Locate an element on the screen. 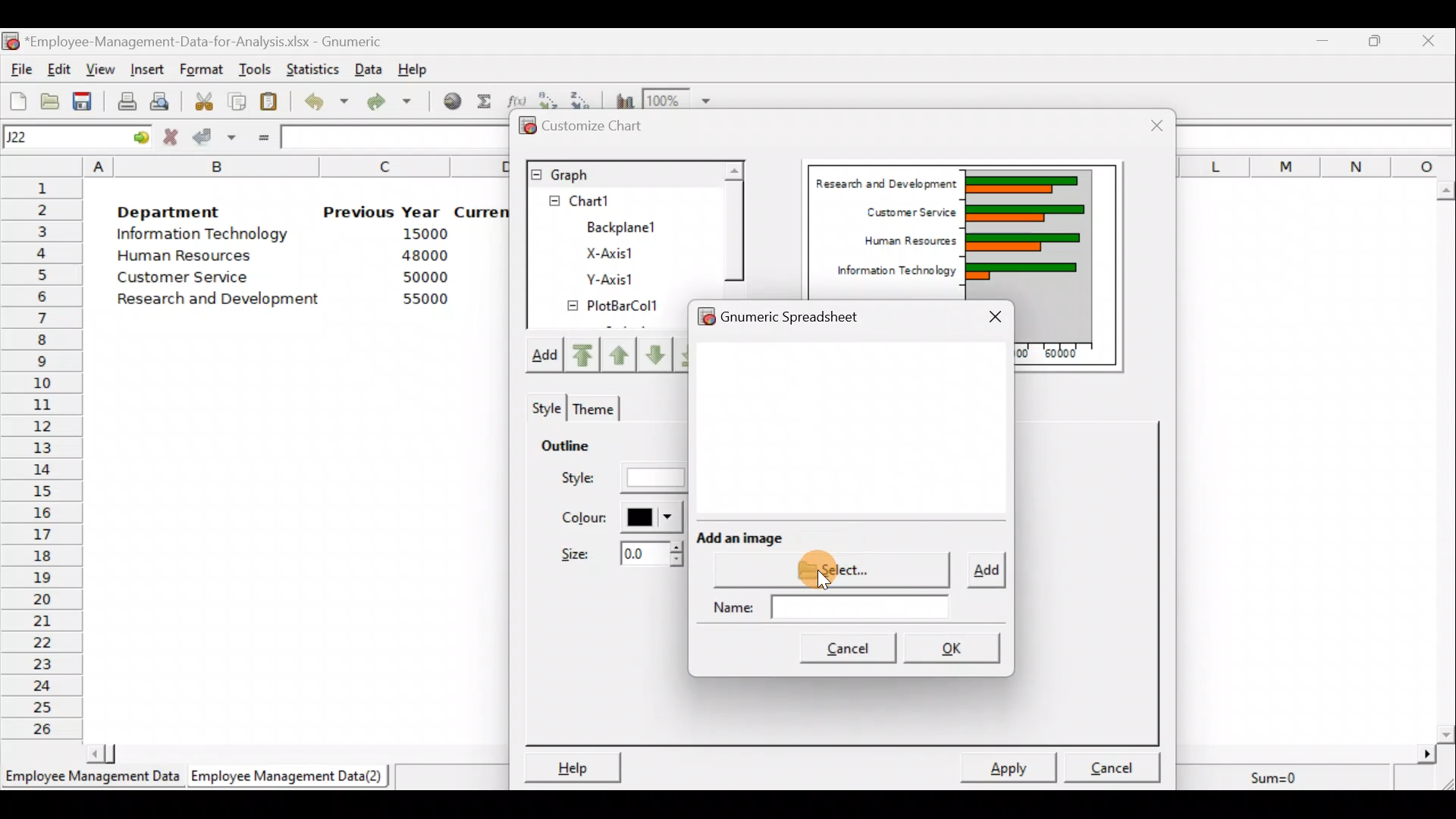 This screenshot has width=1456, height=819. Format is located at coordinates (203, 67).